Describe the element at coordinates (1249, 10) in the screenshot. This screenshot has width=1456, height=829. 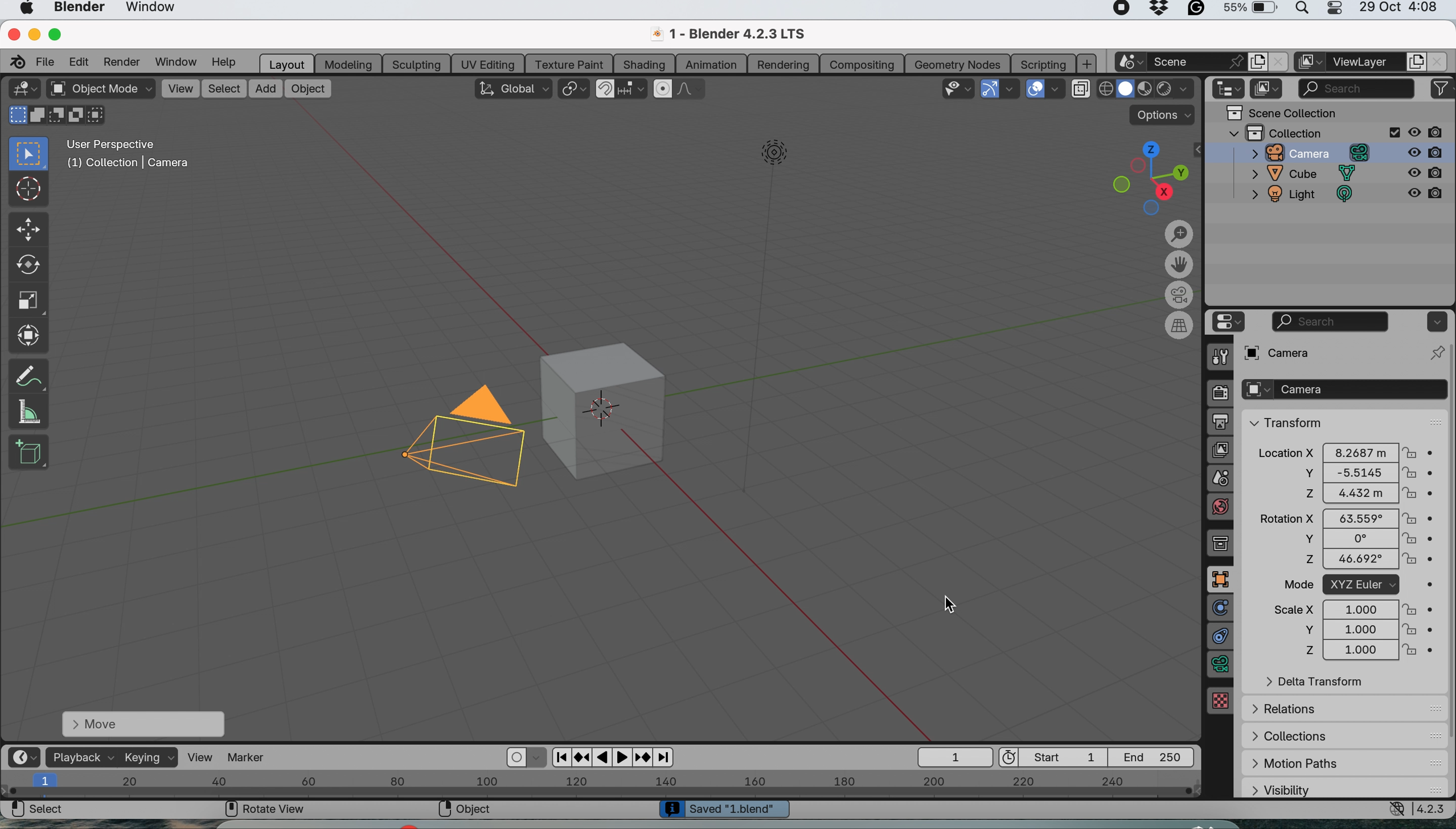
I see `battery` at that location.